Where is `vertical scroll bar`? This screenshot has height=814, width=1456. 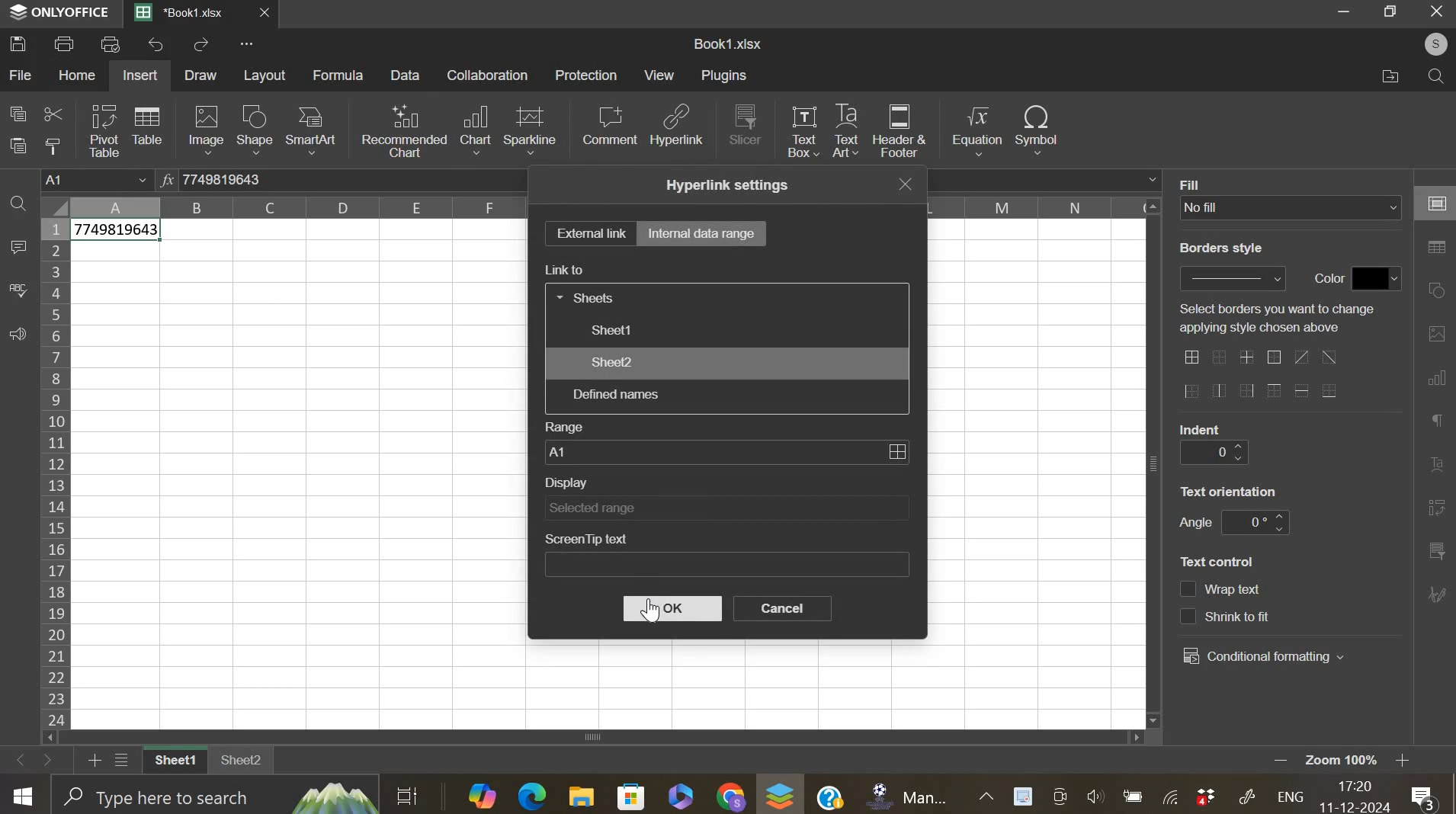
vertical scroll bar is located at coordinates (1155, 463).